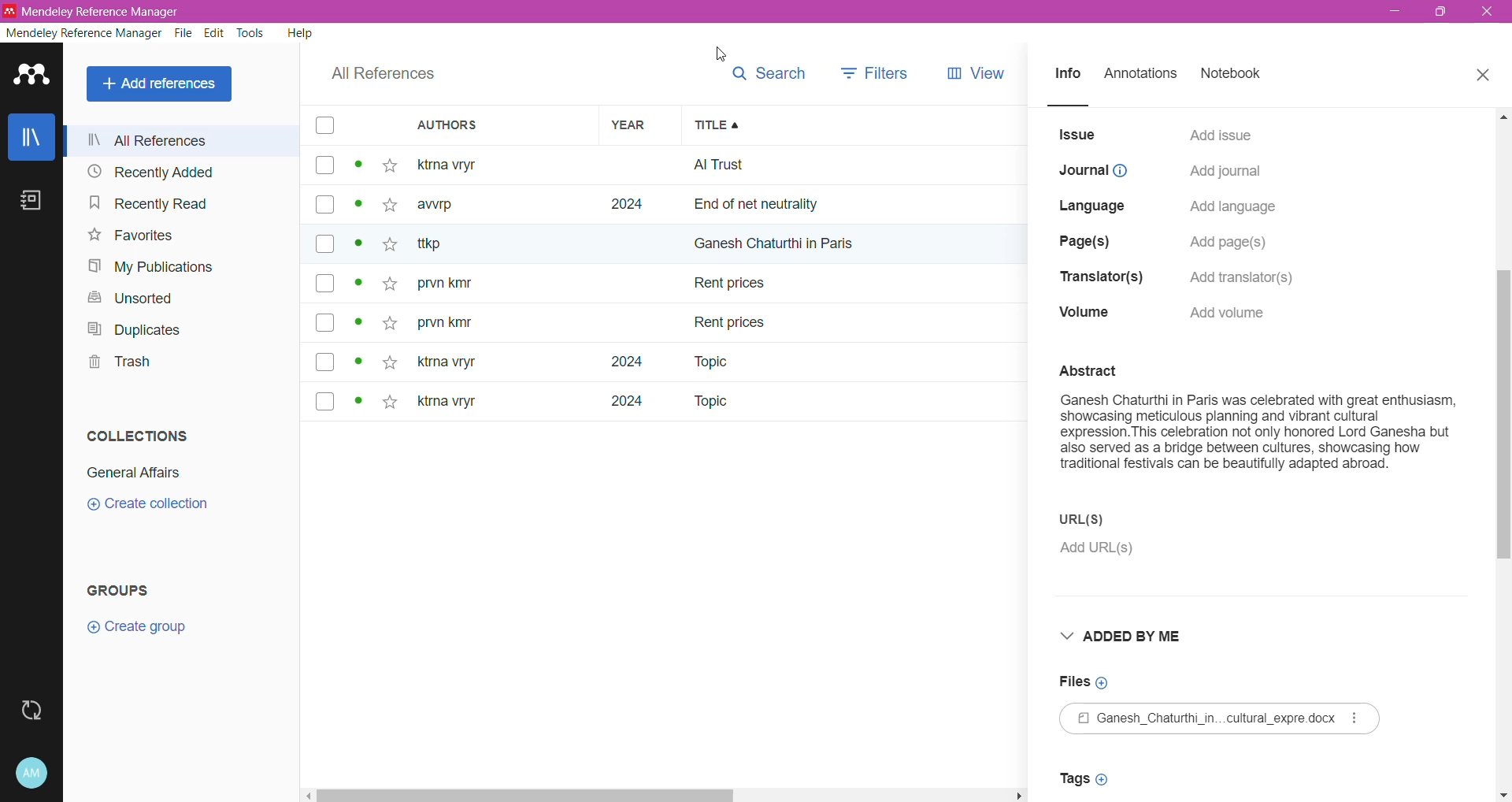 This screenshot has height=802, width=1512. I want to click on Duplicates, so click(135, 329).